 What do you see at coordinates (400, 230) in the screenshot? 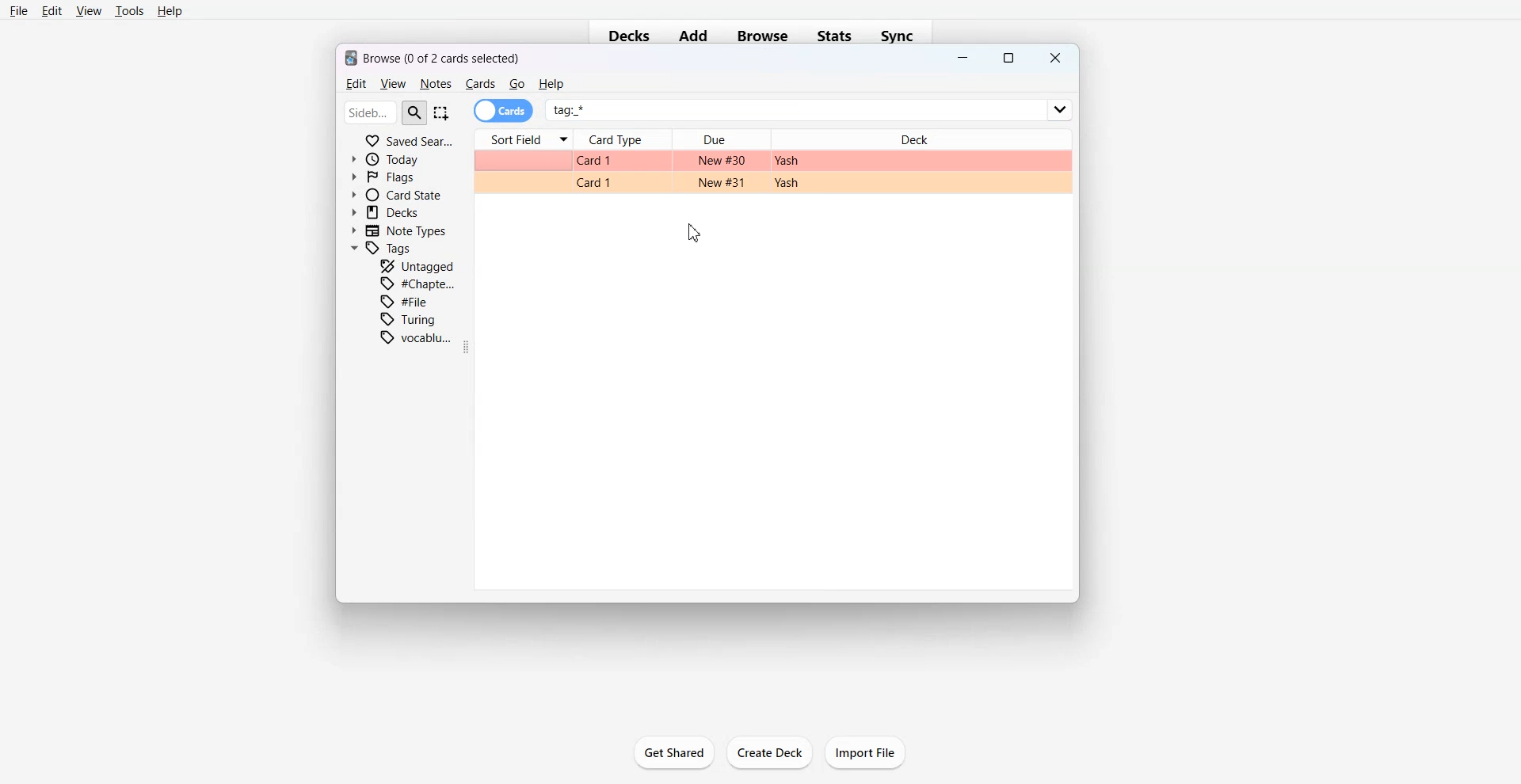
I see `Note Types` at bounding box center [400, 230].